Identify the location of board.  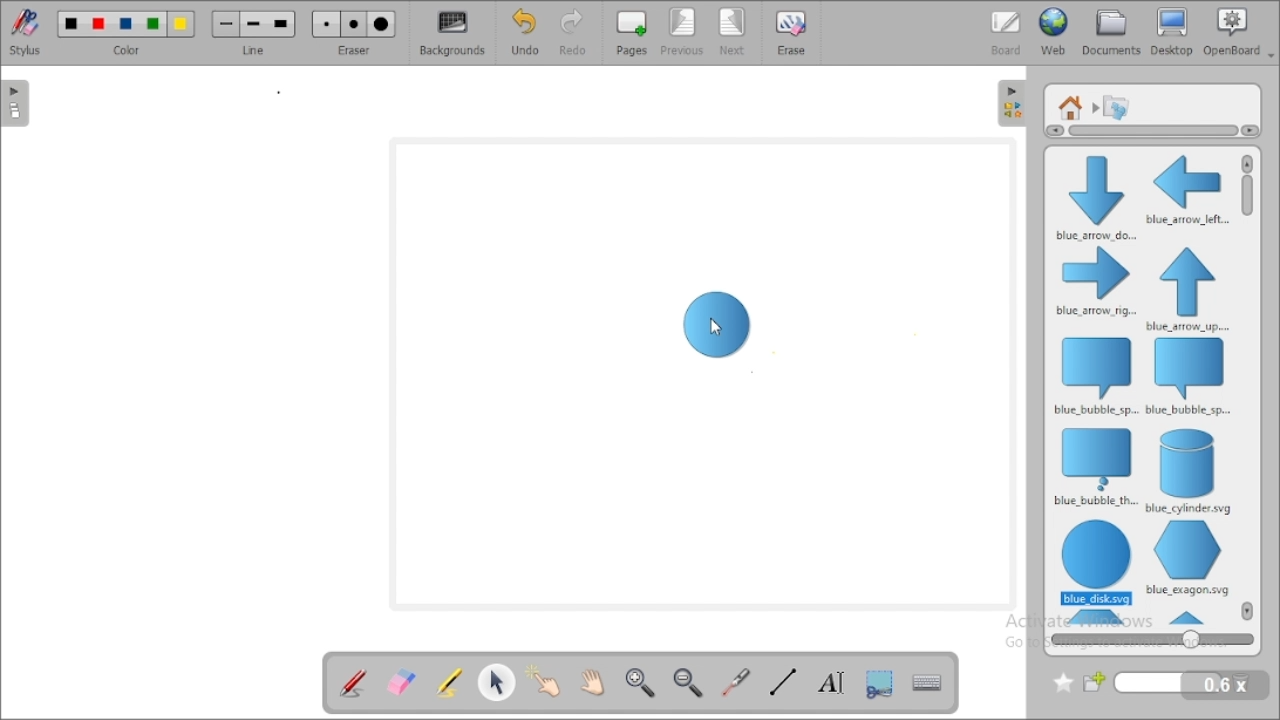
(1006, 32).